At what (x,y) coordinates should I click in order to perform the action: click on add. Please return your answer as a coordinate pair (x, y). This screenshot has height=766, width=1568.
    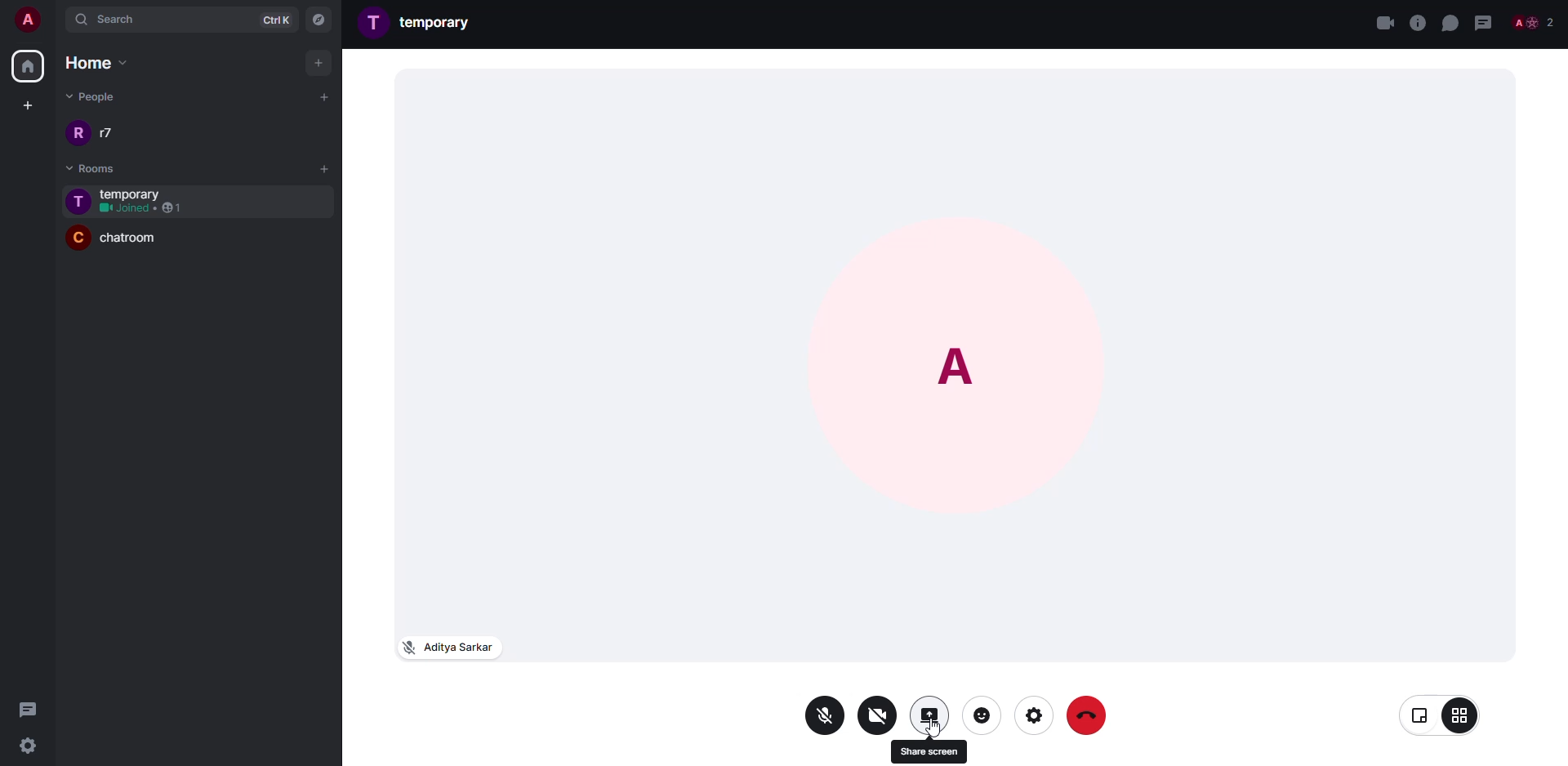
    Looking at the image, I should click on (321, 96).